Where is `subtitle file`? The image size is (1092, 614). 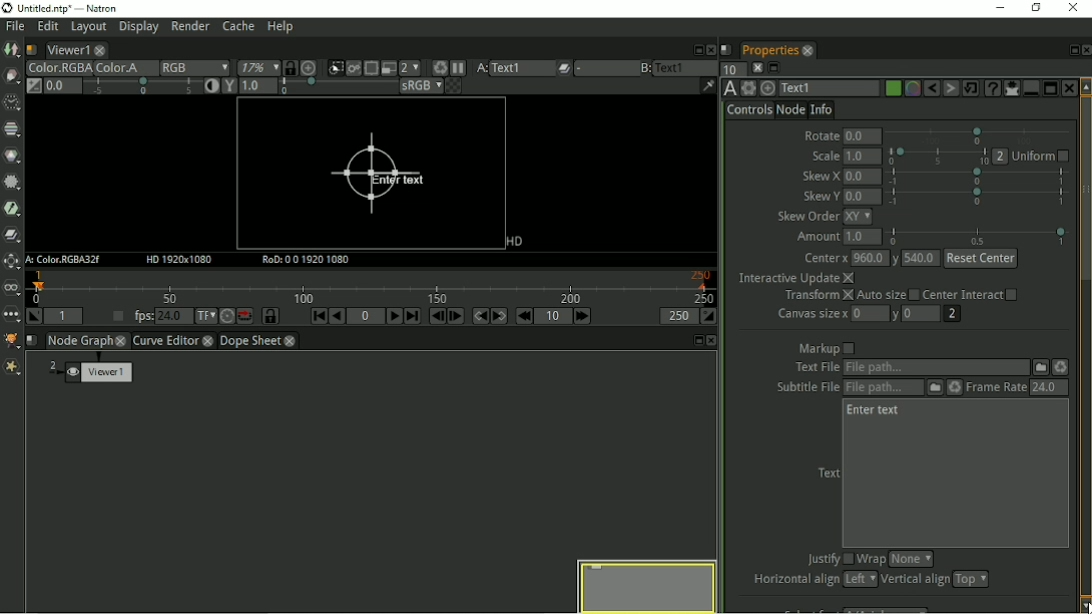 subtitle file is located at coordinates (806, 386).